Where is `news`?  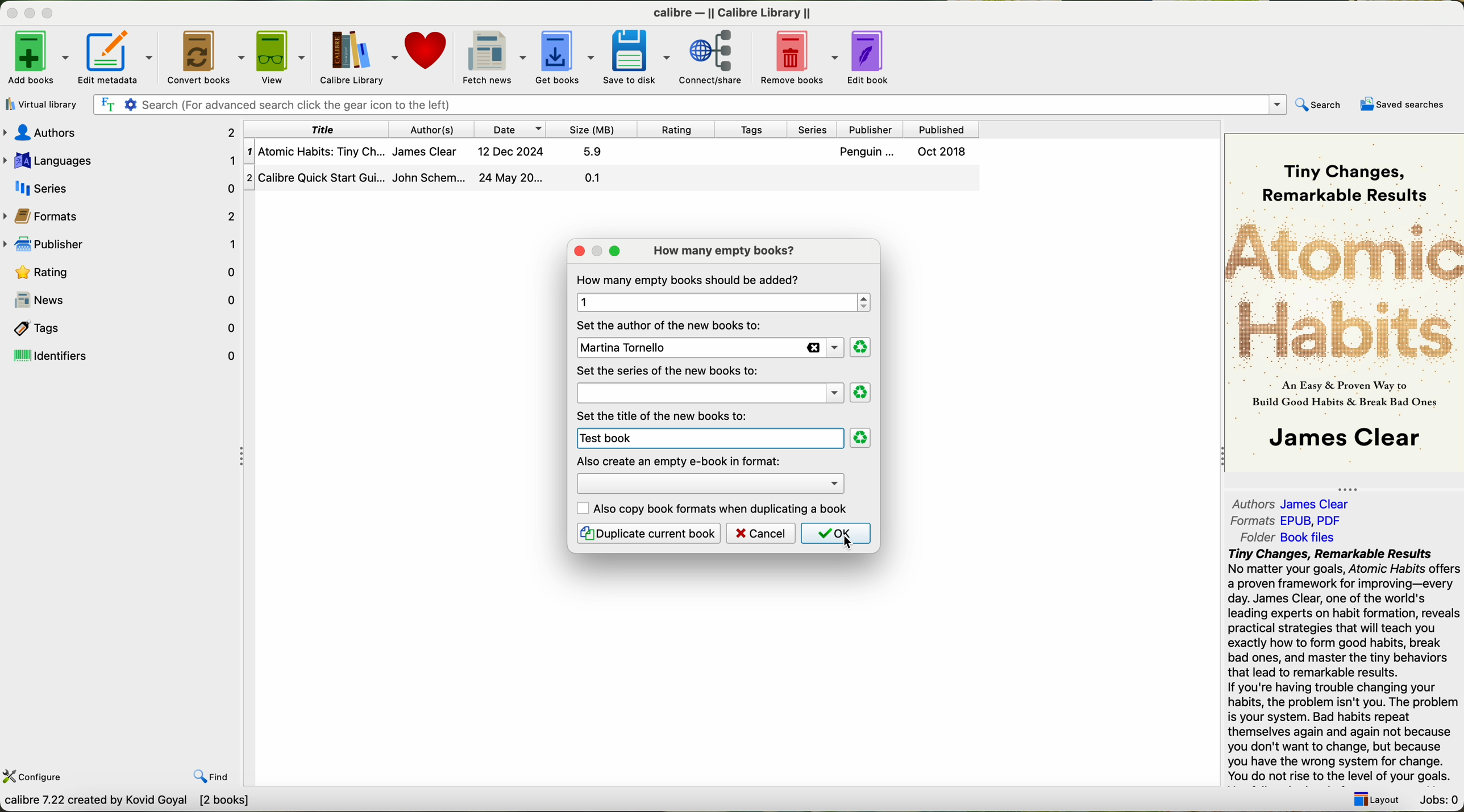 news is located at coordinates (121, 300).